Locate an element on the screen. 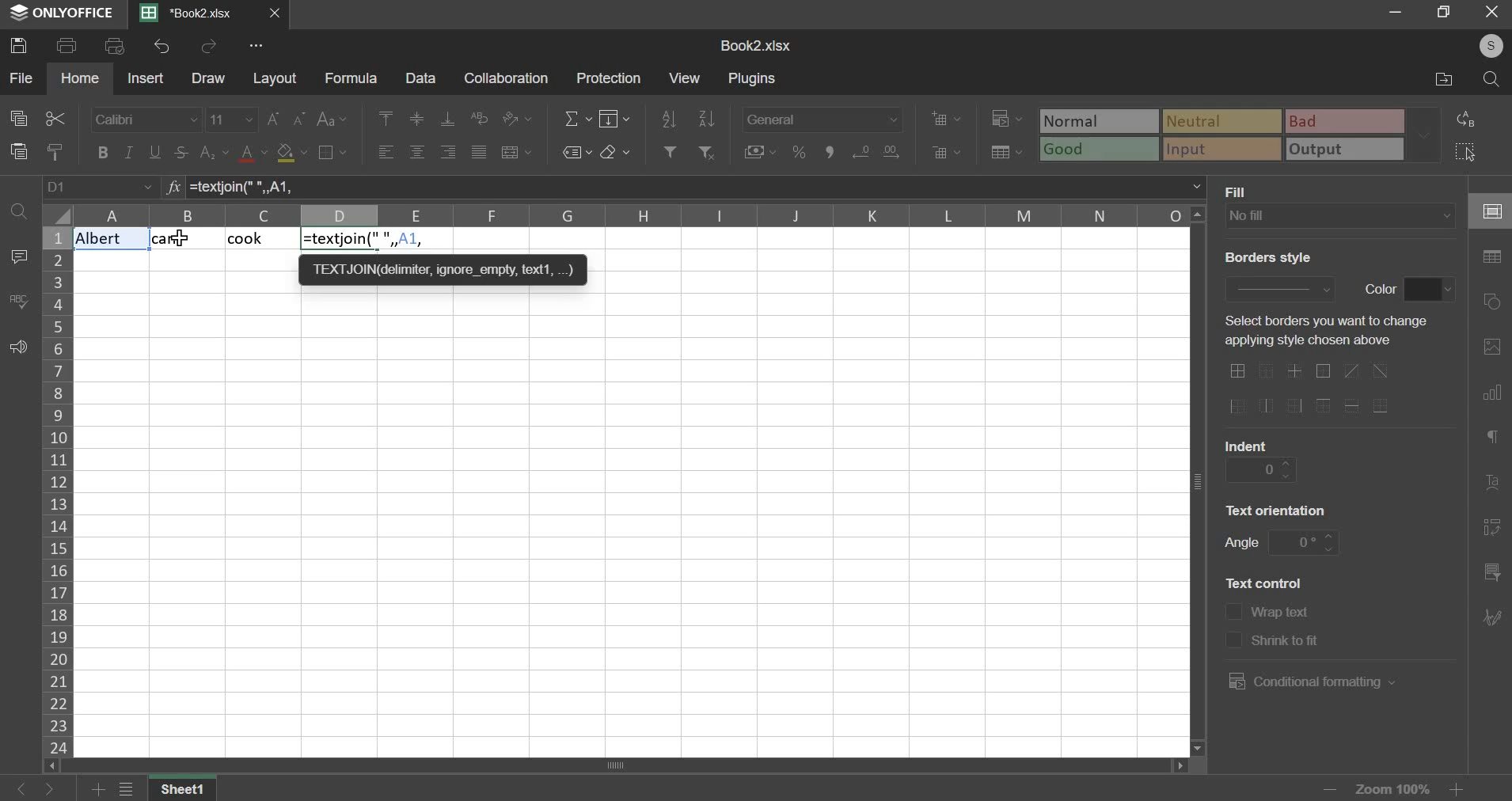 This screenshot has height=801, width=1512. font size change is located at coordinates (288, 119).